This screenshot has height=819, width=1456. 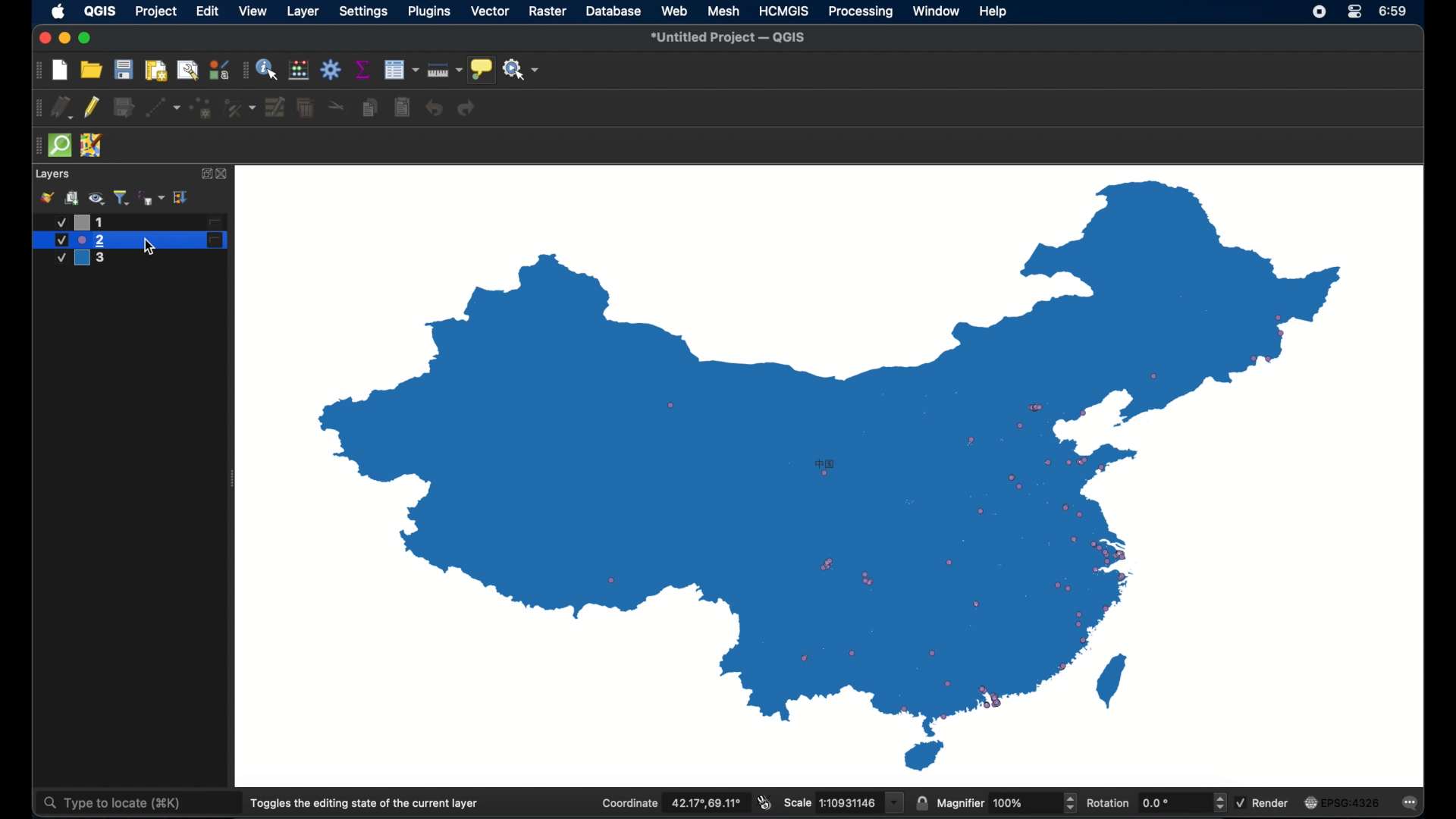 I want to click on vertex tool, so click(x=240, y=108).